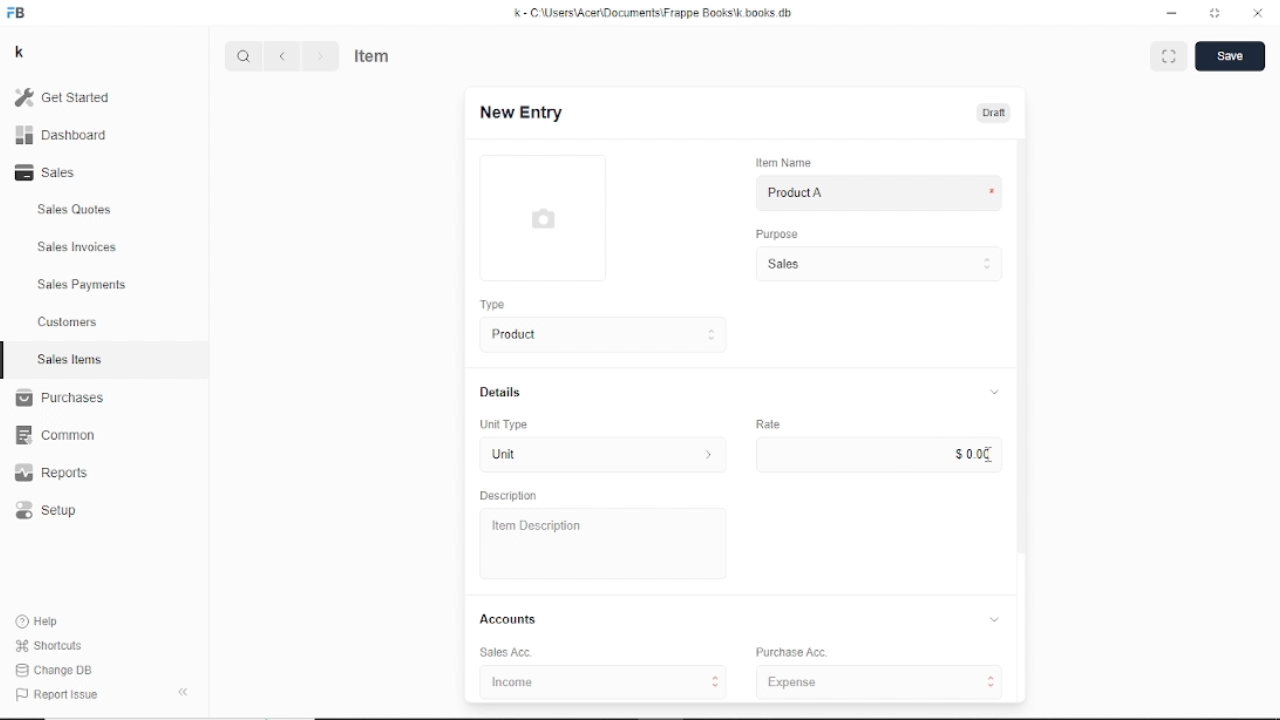 This screenshot has height=720, width=1280. What do you see at coordinates (877, 264) in the screenshot?
I see `Sales` at bounding box center [877, 264].